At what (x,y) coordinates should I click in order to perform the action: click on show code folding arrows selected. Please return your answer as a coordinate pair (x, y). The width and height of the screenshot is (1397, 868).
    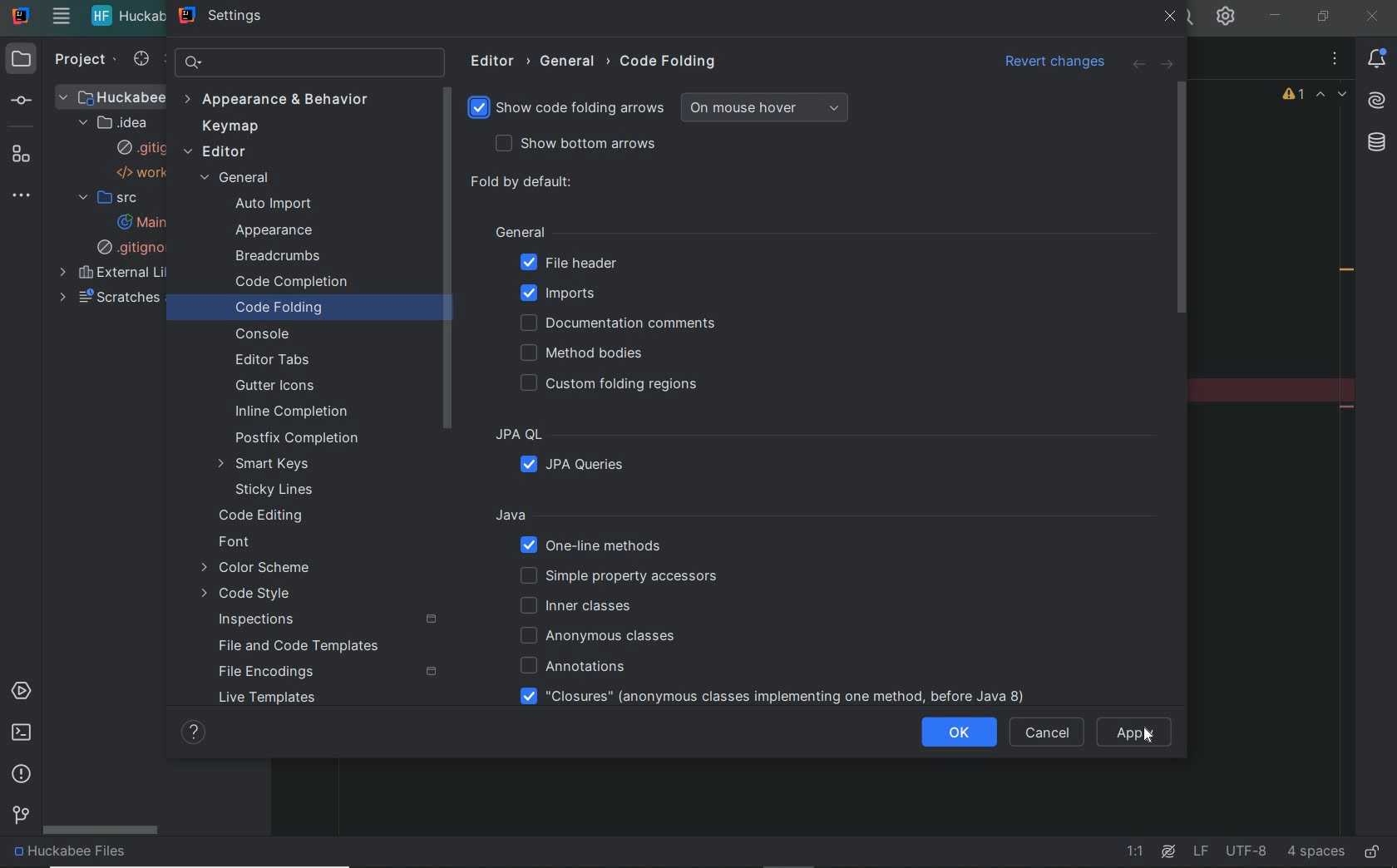
    Looking at the image, I should click on (567, 110).